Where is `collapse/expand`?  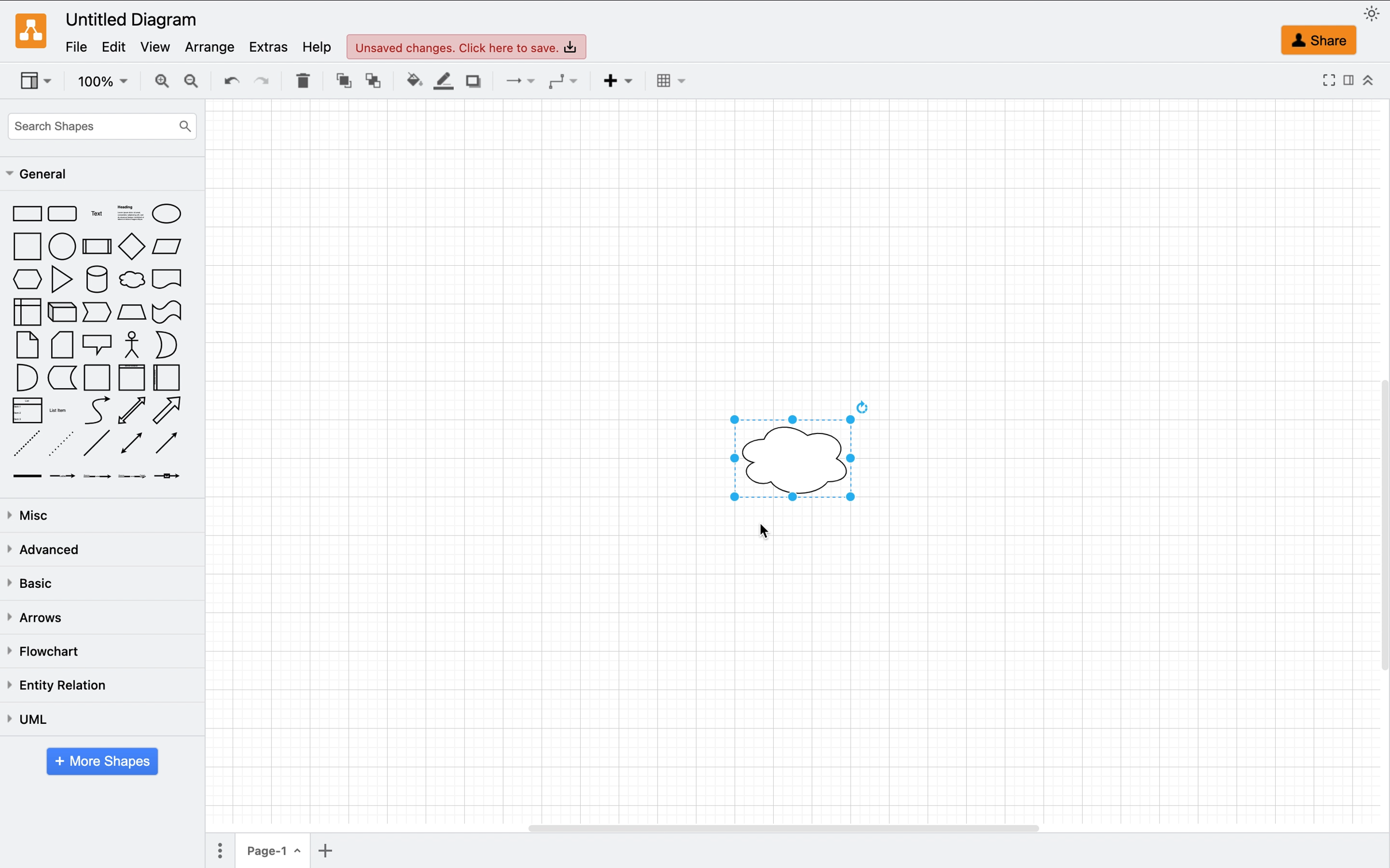
collapse/expand is located at coordinates (1368, 82).